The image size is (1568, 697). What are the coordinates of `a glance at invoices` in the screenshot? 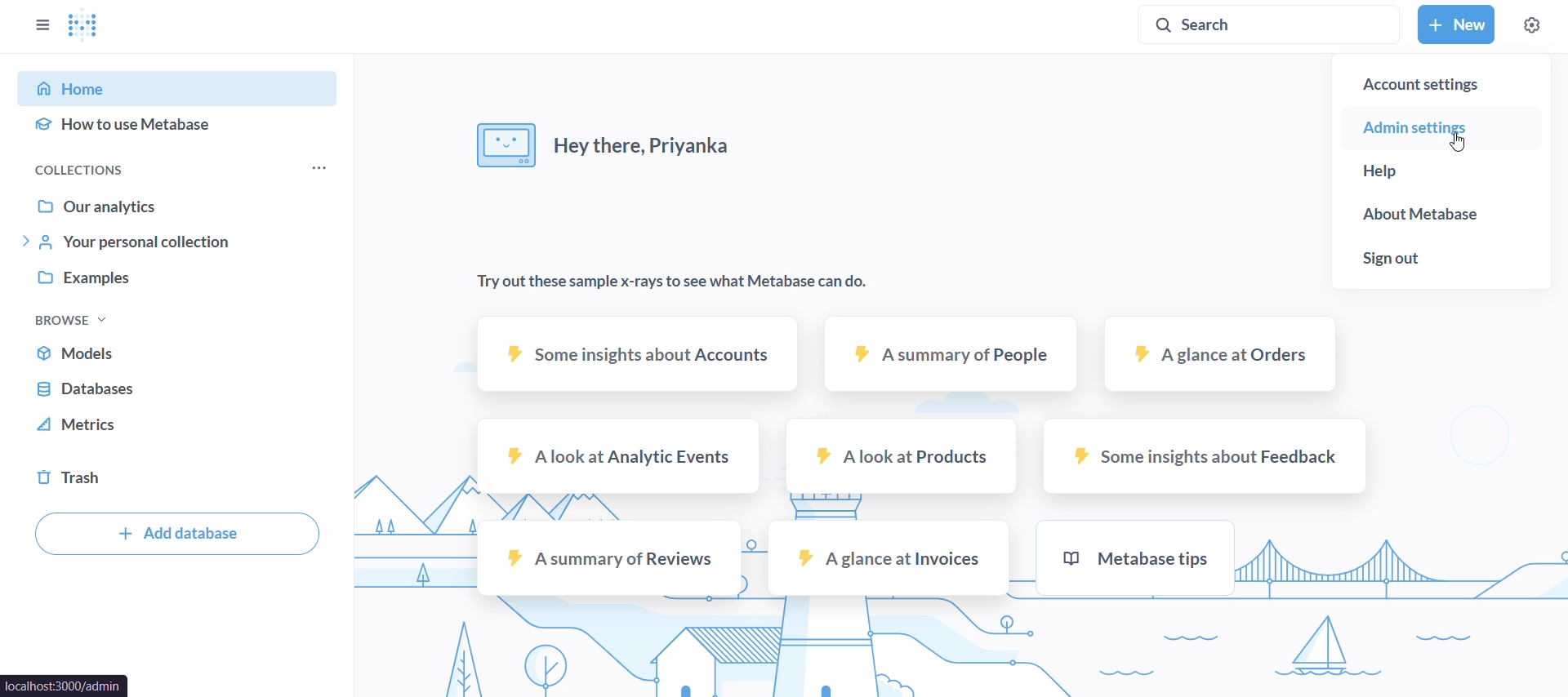 It's located at (887, 560).